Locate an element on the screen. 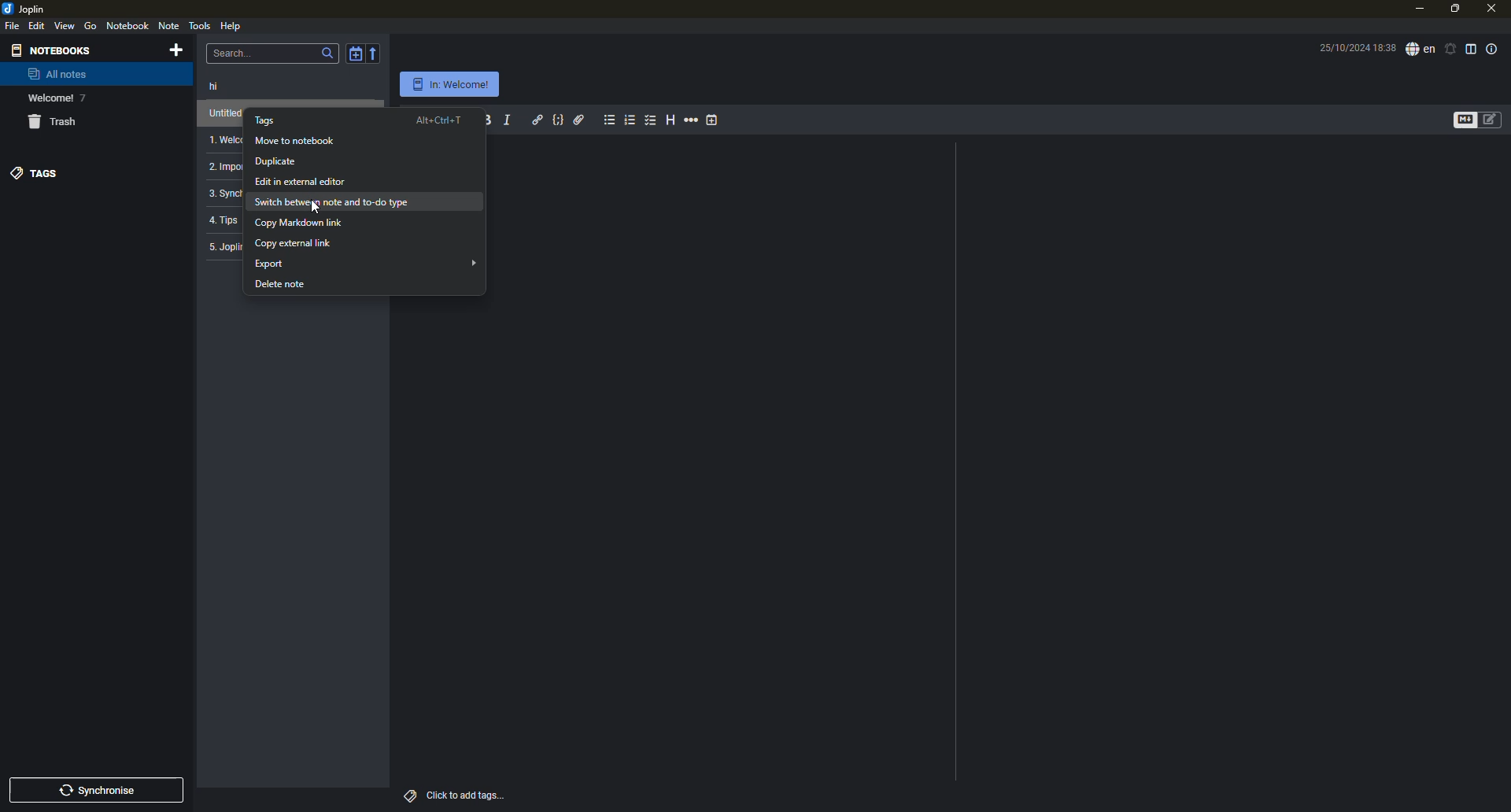  maximize is located at coordinates (1454, 9).